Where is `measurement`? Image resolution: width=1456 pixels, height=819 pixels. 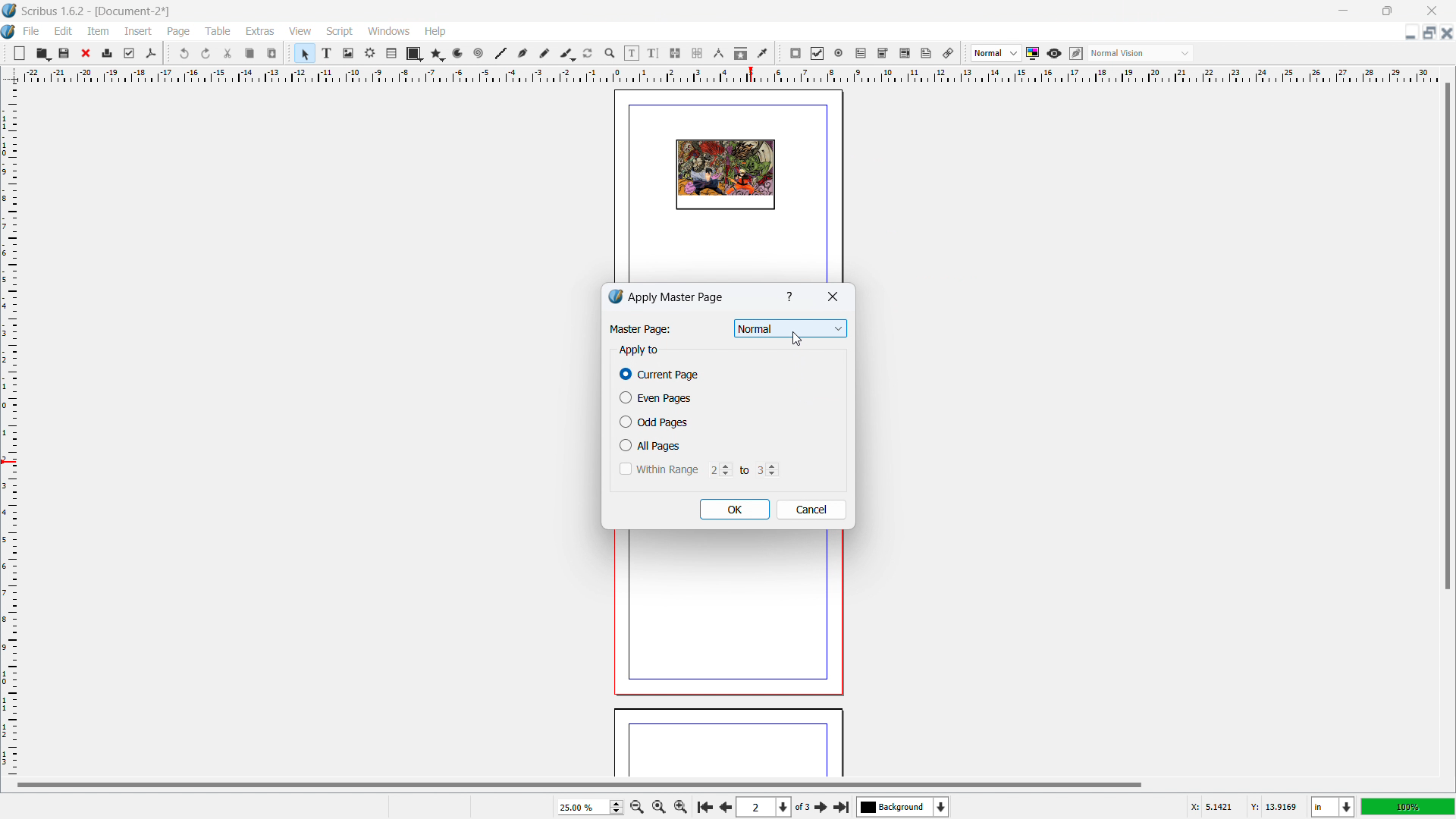
measurement is located at coordinates (718, 54).